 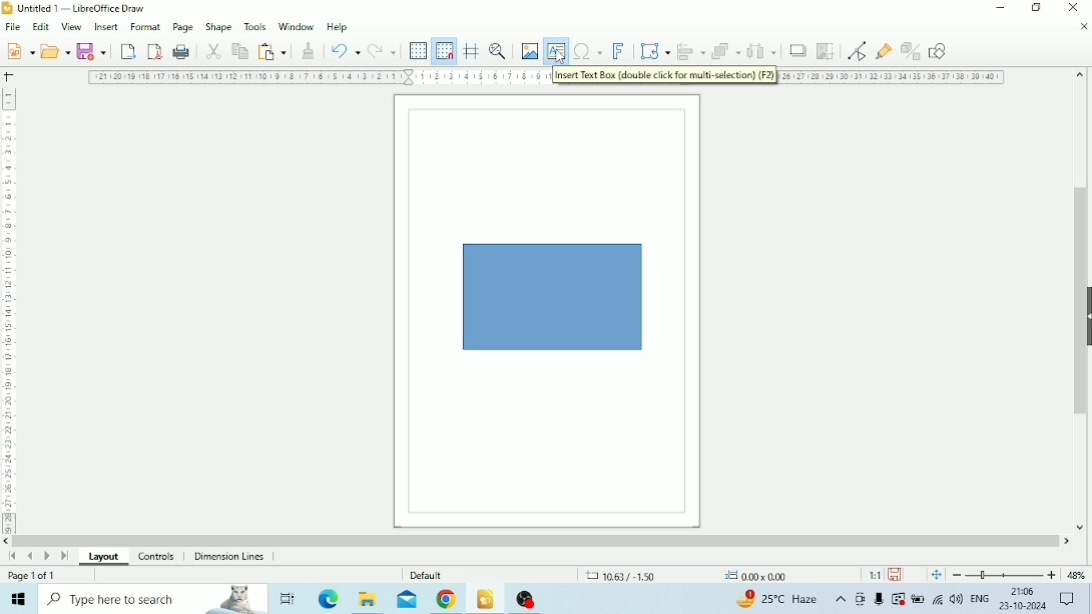 What do you see at coordinates (1074, 7) in the screenshot?
I see `Close` at bounding box center [1074, 7].